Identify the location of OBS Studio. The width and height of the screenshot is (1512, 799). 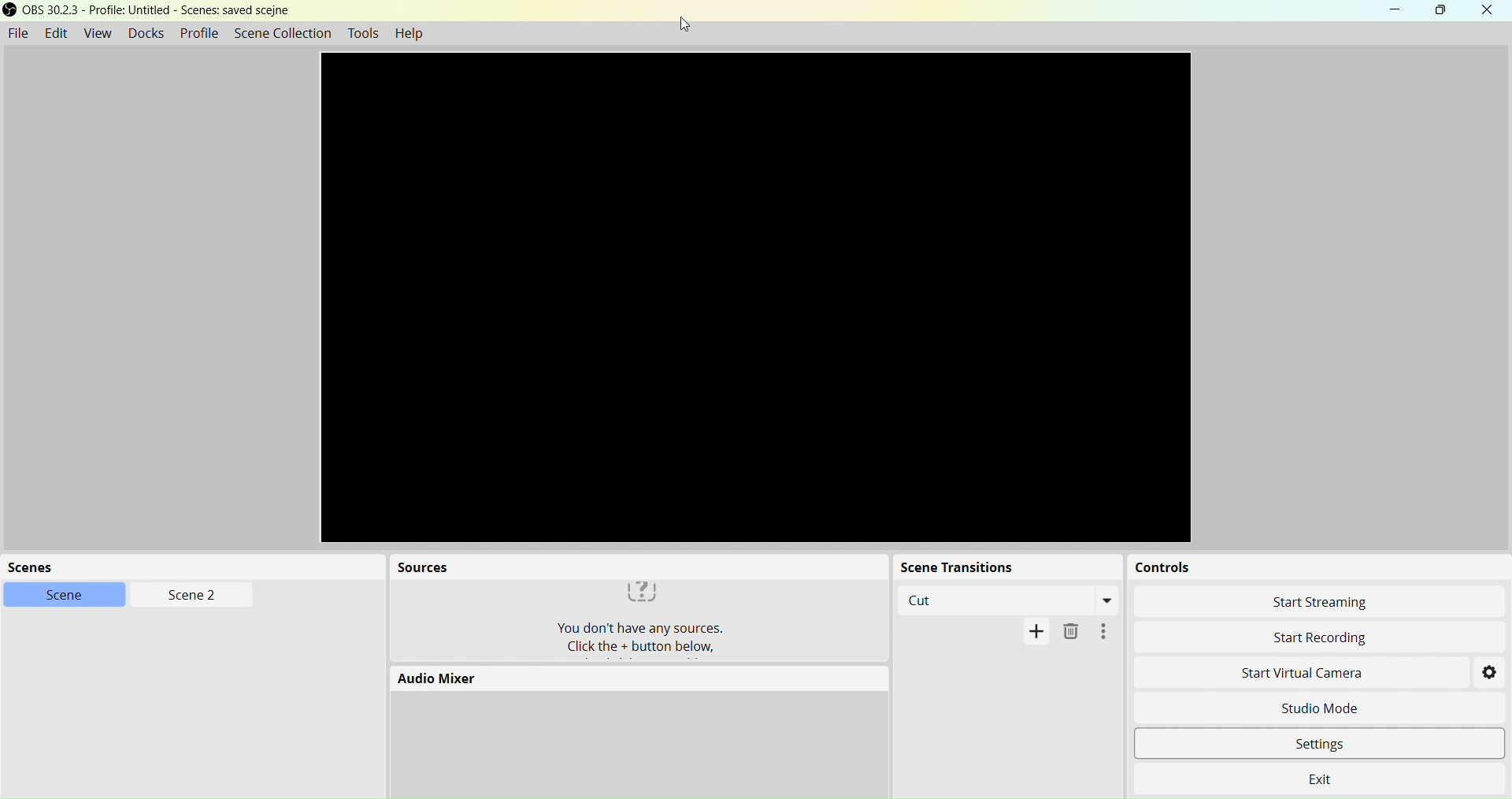
(160, 13).